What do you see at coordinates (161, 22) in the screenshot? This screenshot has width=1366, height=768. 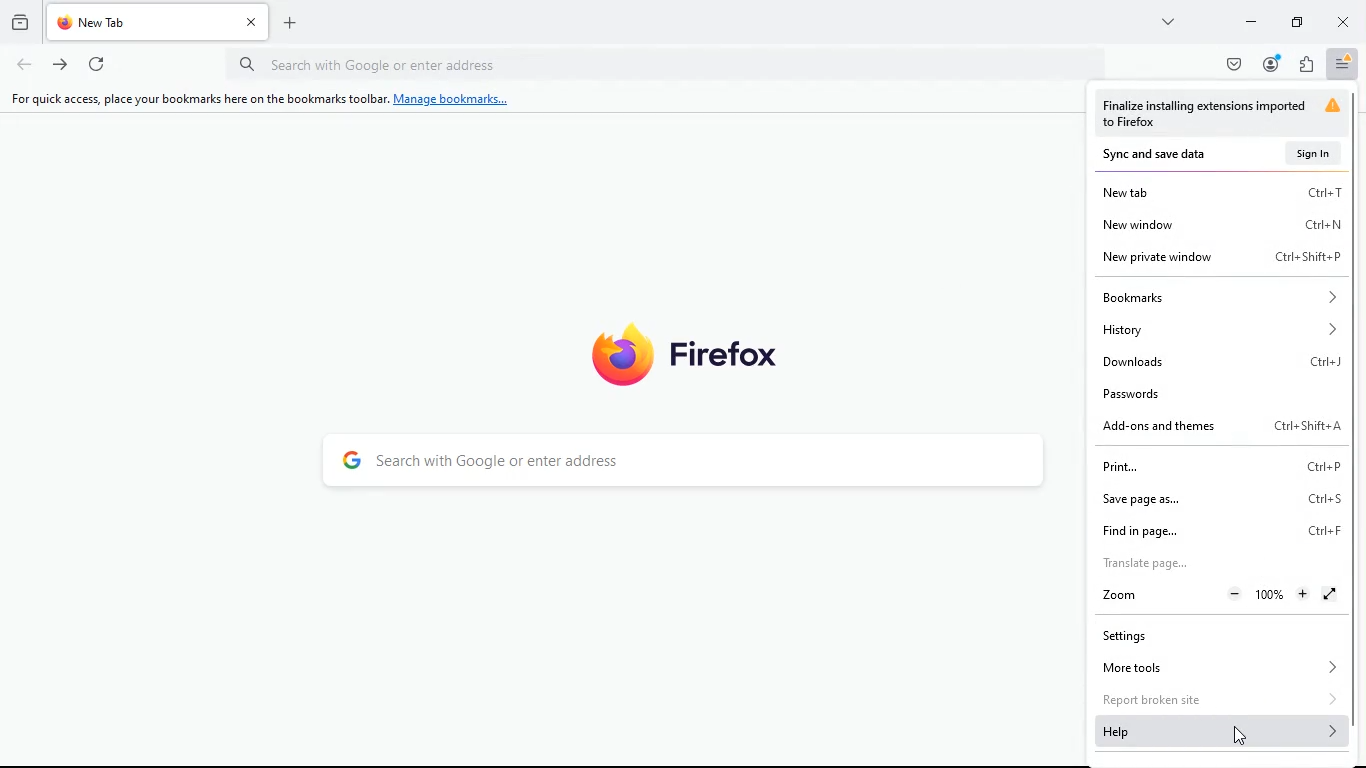 I see `tab` at bounding box center [161, 22].